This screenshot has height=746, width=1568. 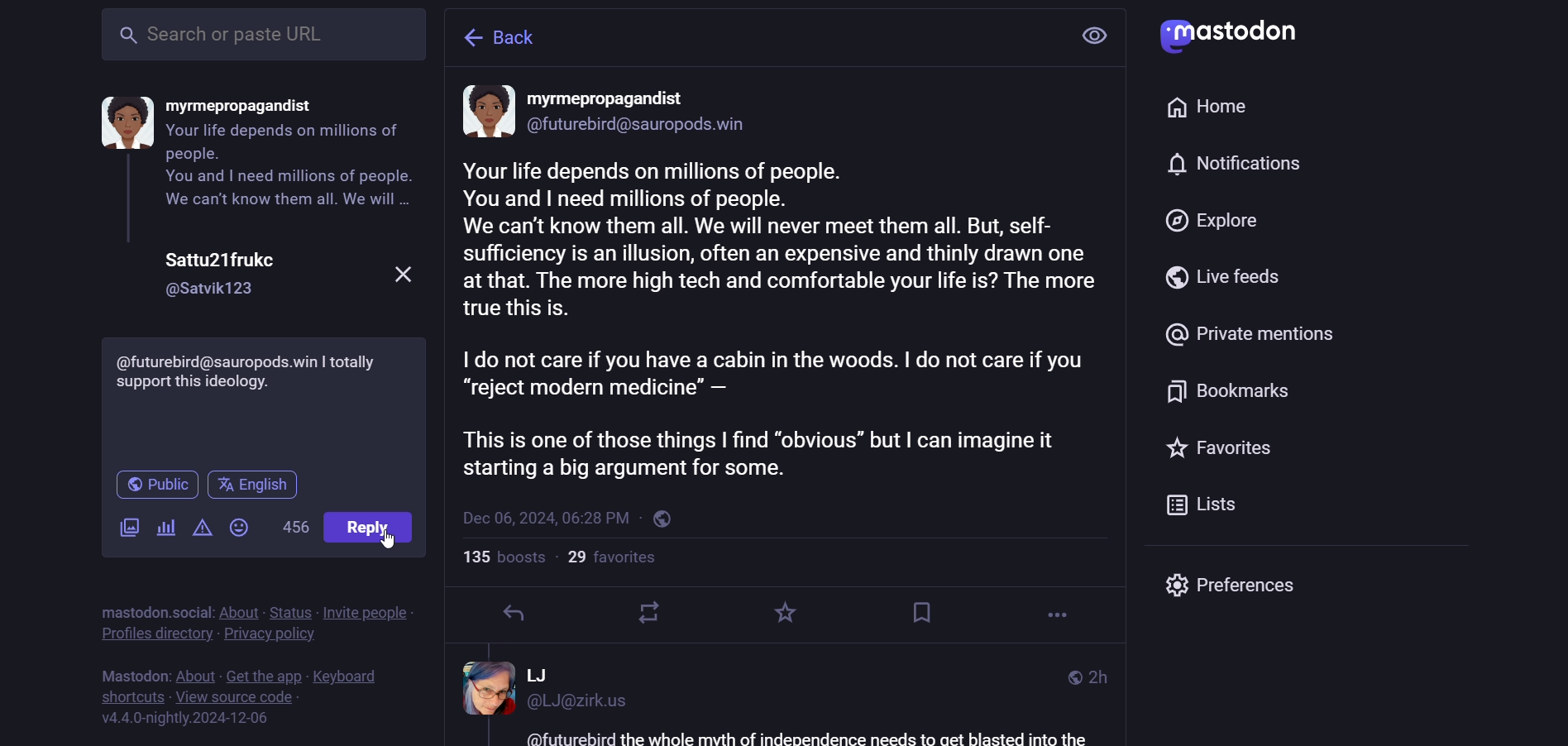 I want to click on mastodon, so click(x=136, y=673).